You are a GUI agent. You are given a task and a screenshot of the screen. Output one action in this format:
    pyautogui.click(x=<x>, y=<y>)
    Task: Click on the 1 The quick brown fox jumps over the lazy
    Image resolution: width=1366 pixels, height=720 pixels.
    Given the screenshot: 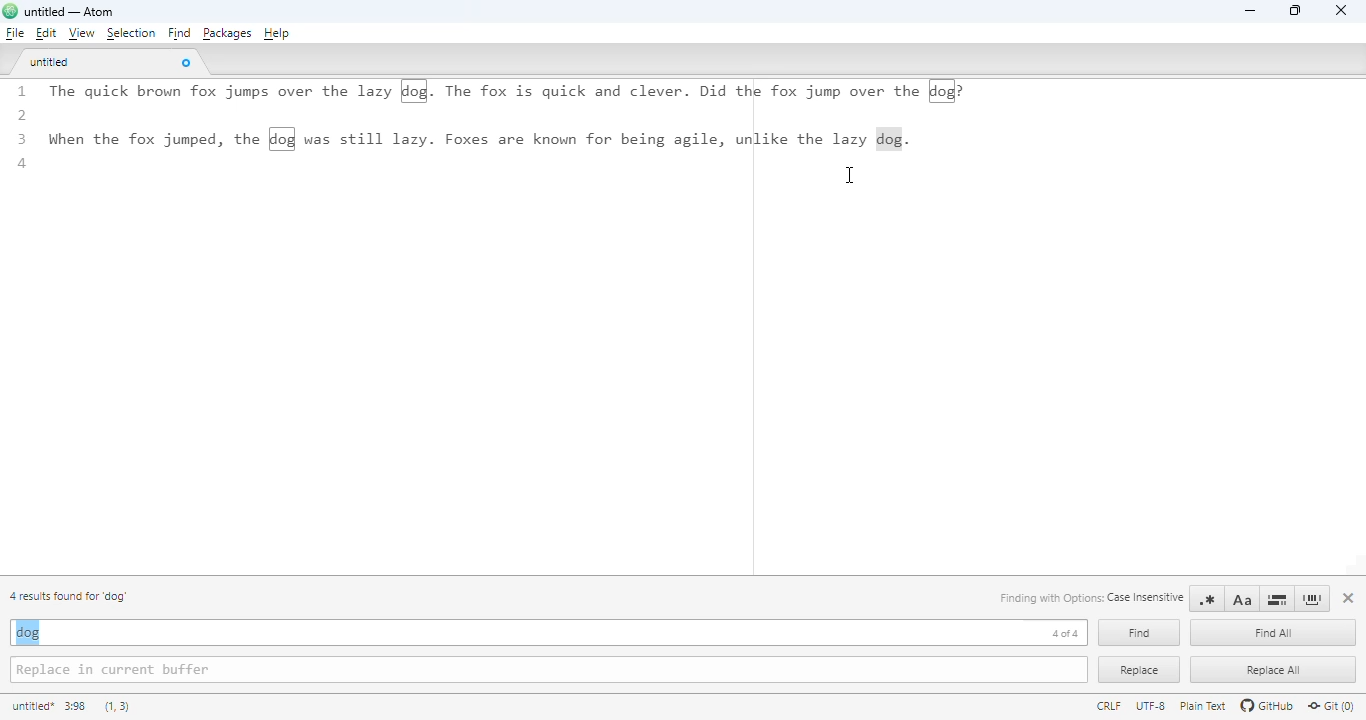 What is the action you would take?
    pyautogui.click(x=199, y=94)
    